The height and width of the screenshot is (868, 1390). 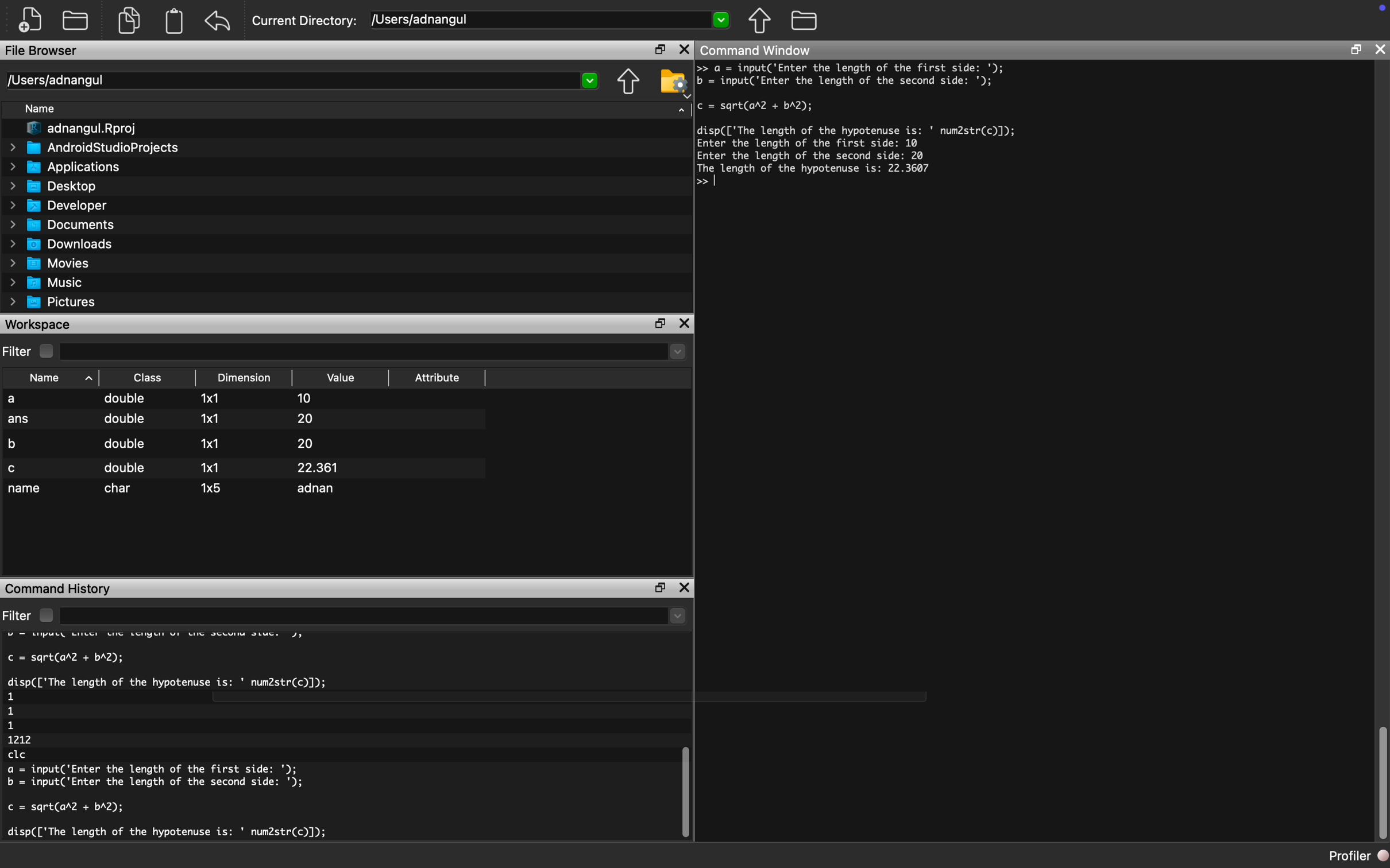 I want to click on typing cursor, so click(x=719, y=181).